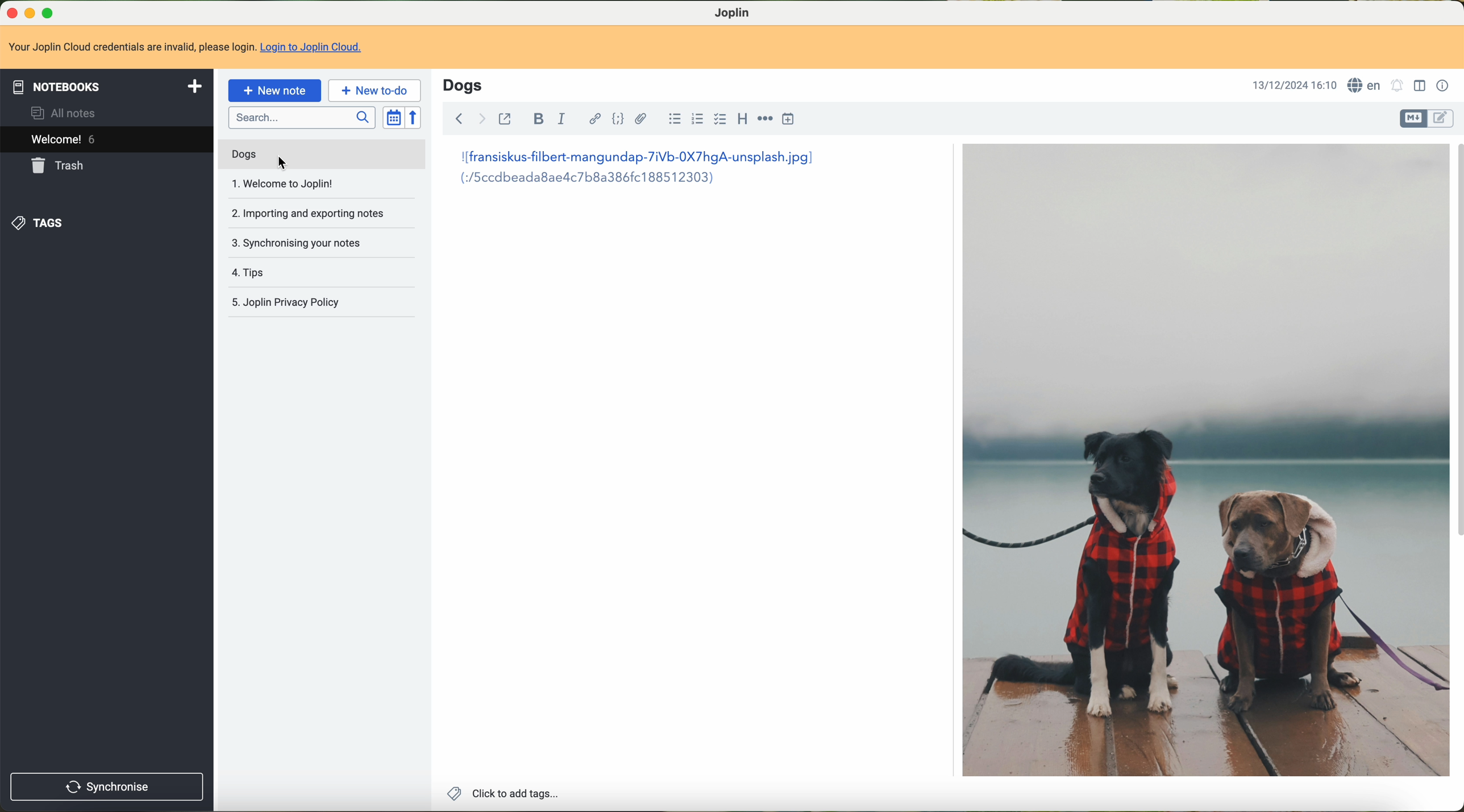 Image resolution: width=1464 pixels, height=812 pixels. What do you see at coordinates (1204, 461) in the screenshot?
I see `dogs image` at bounding box center [1204, 461].